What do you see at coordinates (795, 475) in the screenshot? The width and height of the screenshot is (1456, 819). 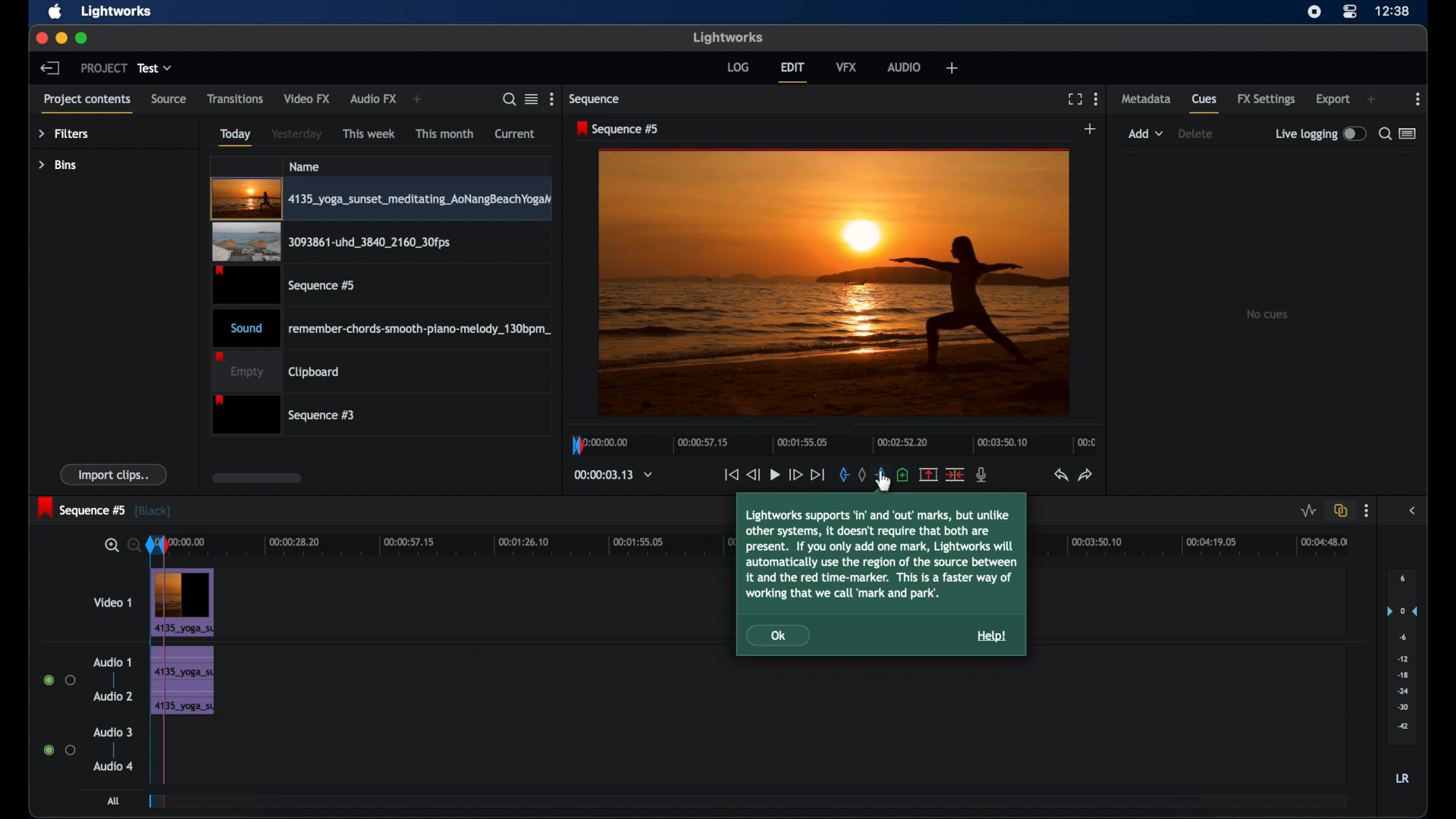 I see `fast forward` at bounding box center [795, 475].